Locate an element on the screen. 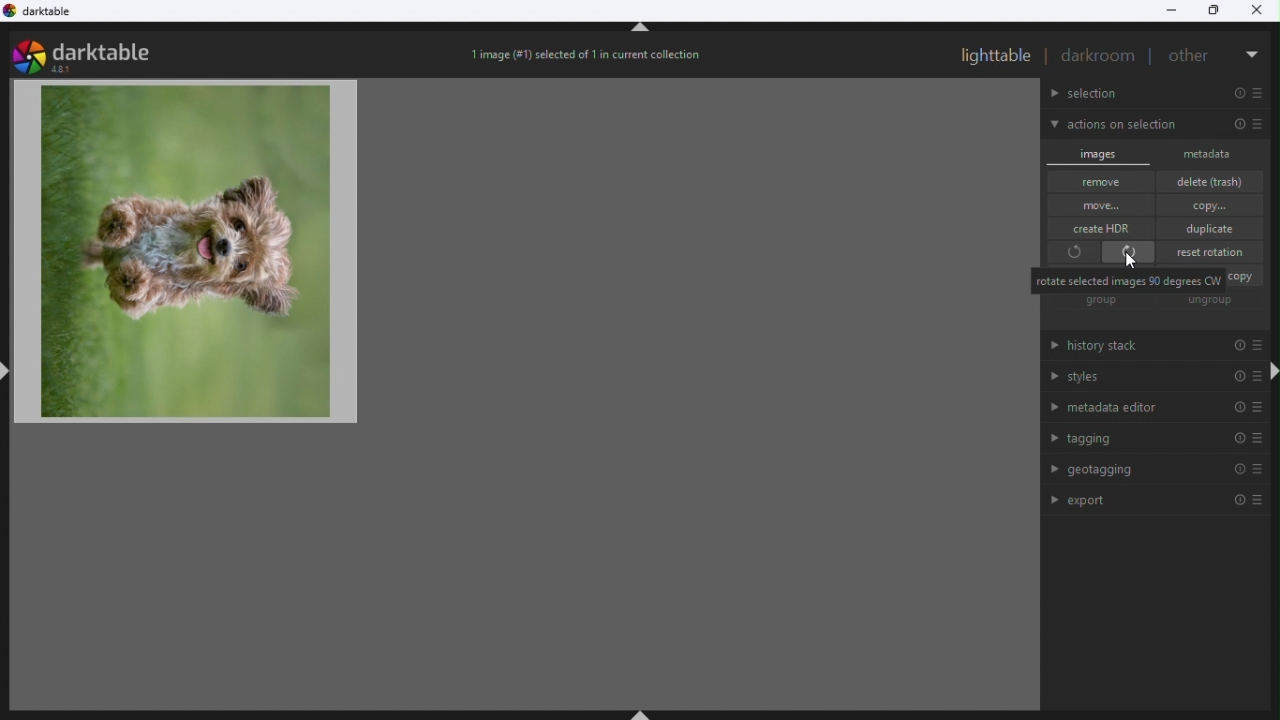  shift+ctrl+t is located at coordinates (641, 31).